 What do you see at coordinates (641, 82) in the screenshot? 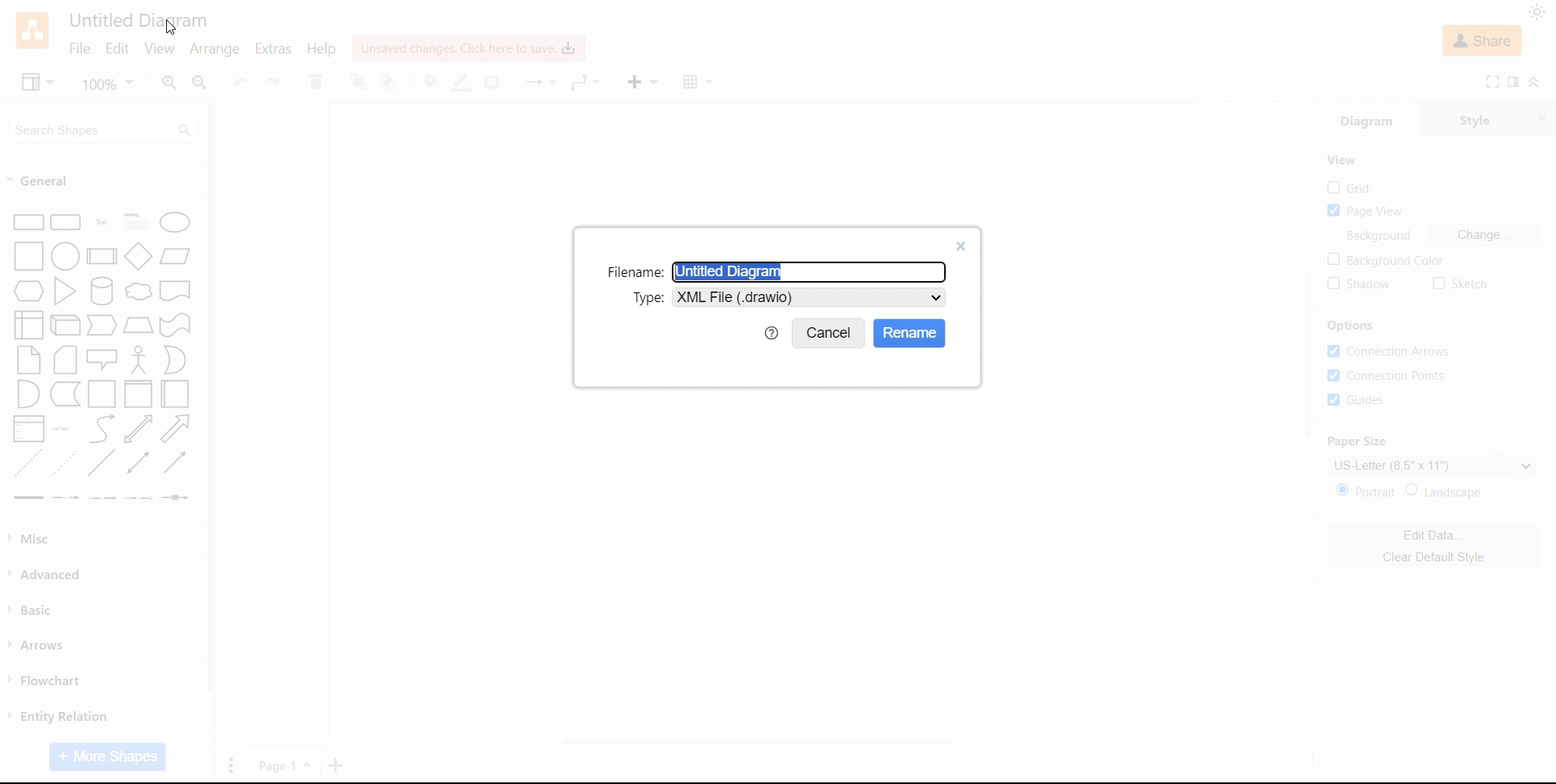
I see `Insert ` at bounding box center [641, 82].